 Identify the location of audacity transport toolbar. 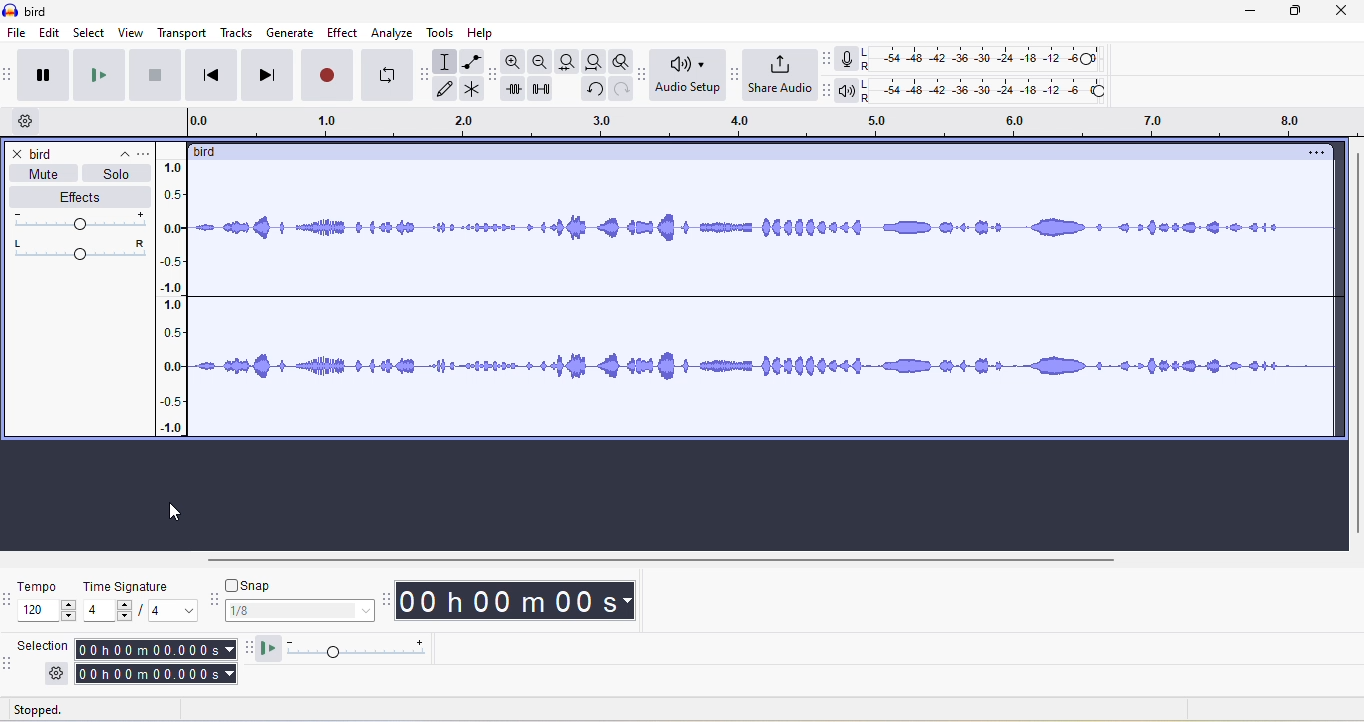
(9, 75).